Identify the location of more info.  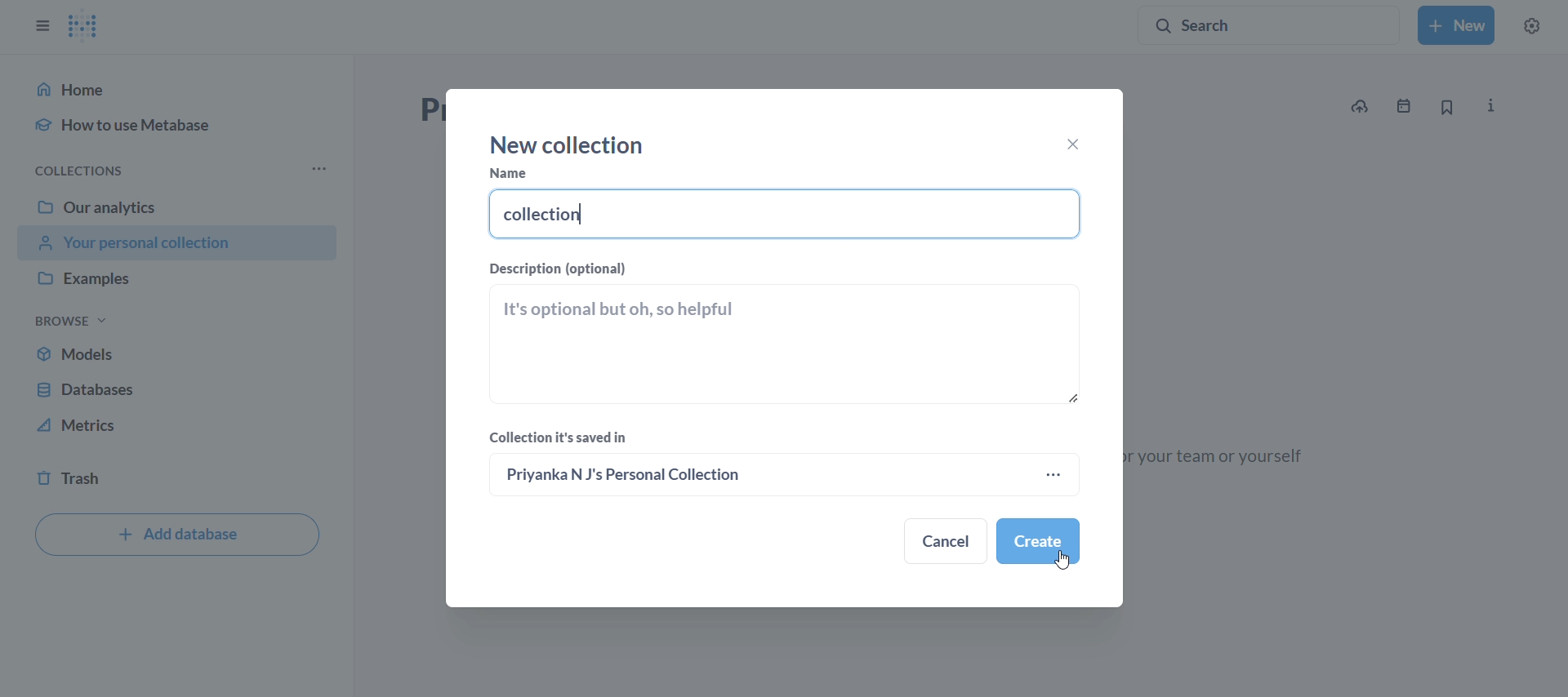
(1490, 107).